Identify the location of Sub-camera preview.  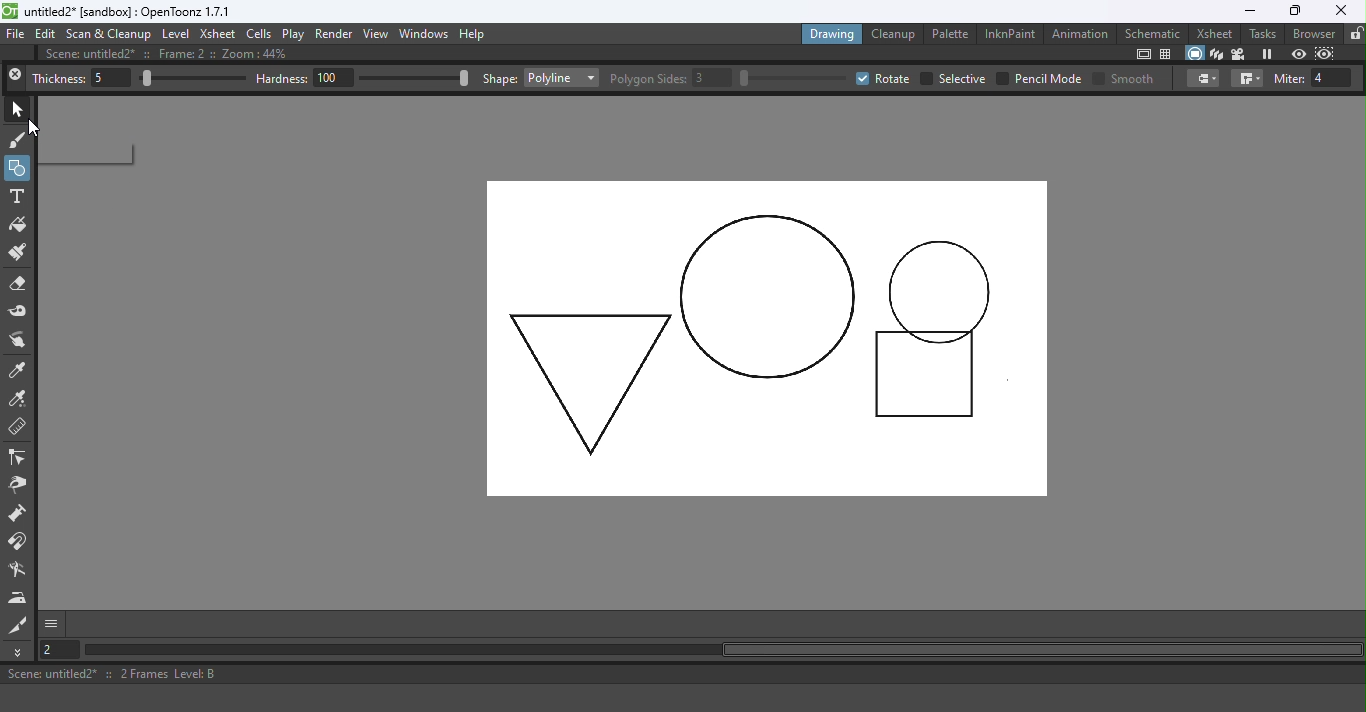
(1325, 53).